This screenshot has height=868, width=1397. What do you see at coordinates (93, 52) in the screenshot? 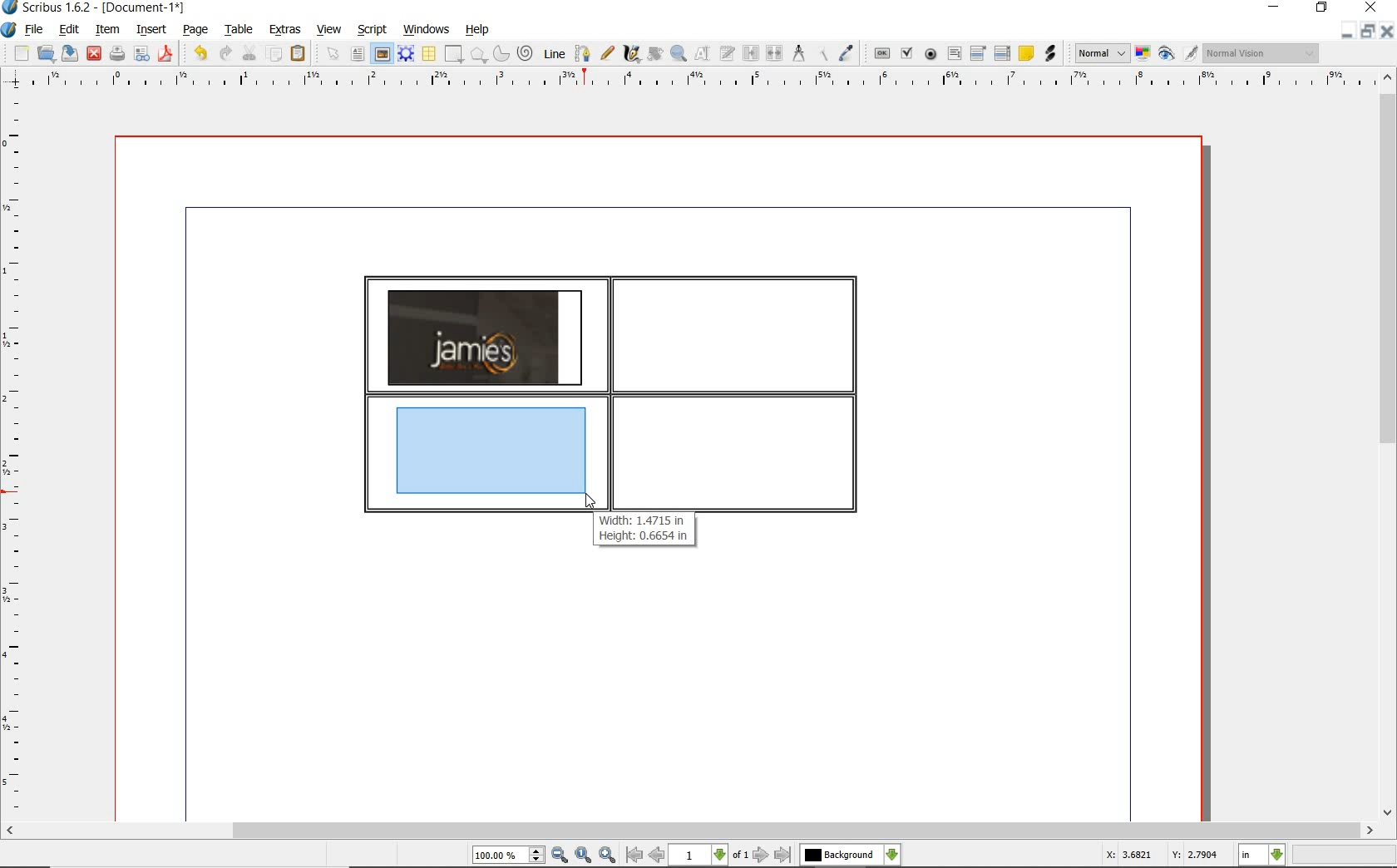
I see `close` at bounding box center [93, 52].